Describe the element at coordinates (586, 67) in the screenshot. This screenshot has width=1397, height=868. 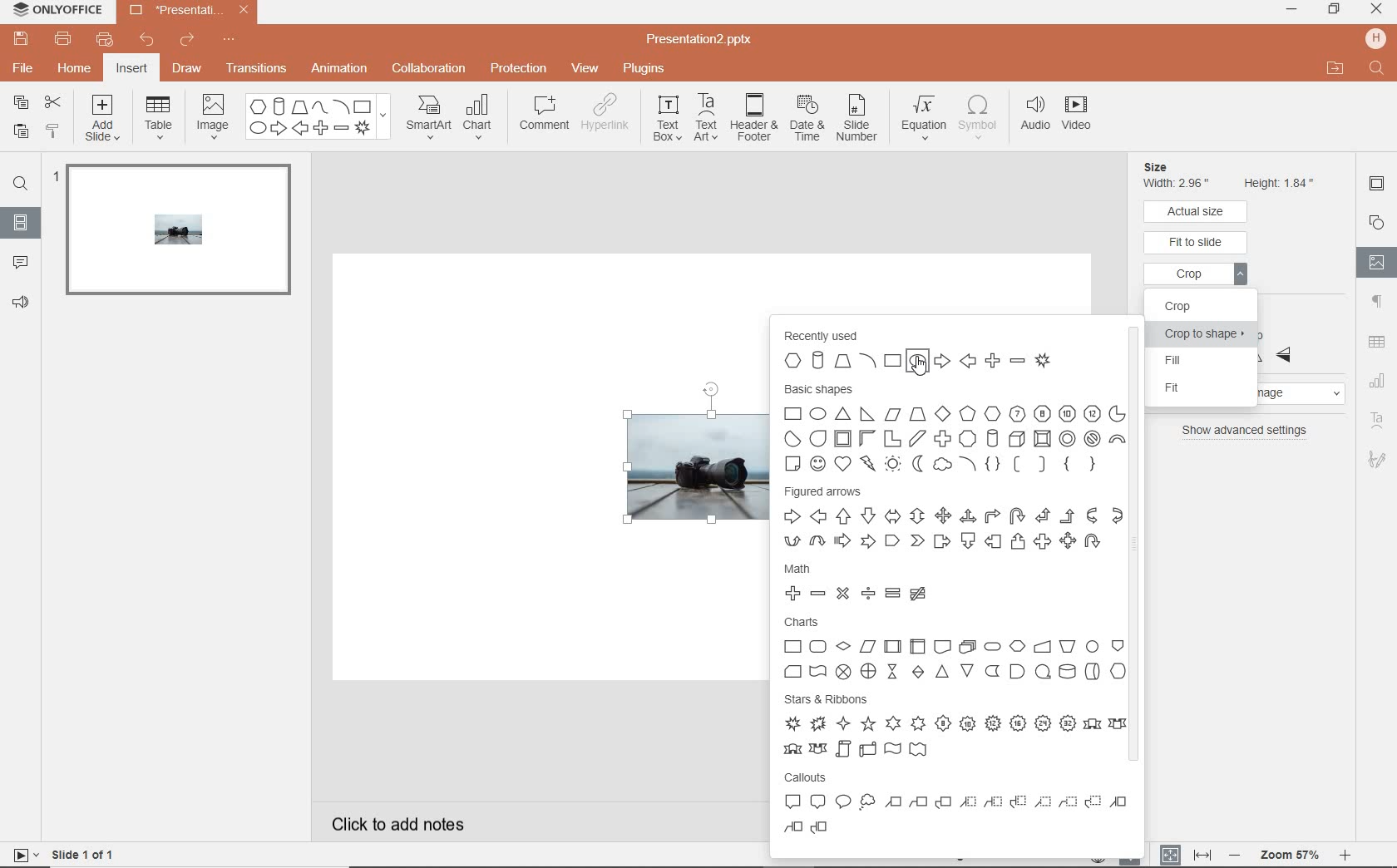
I see `view` at that location.